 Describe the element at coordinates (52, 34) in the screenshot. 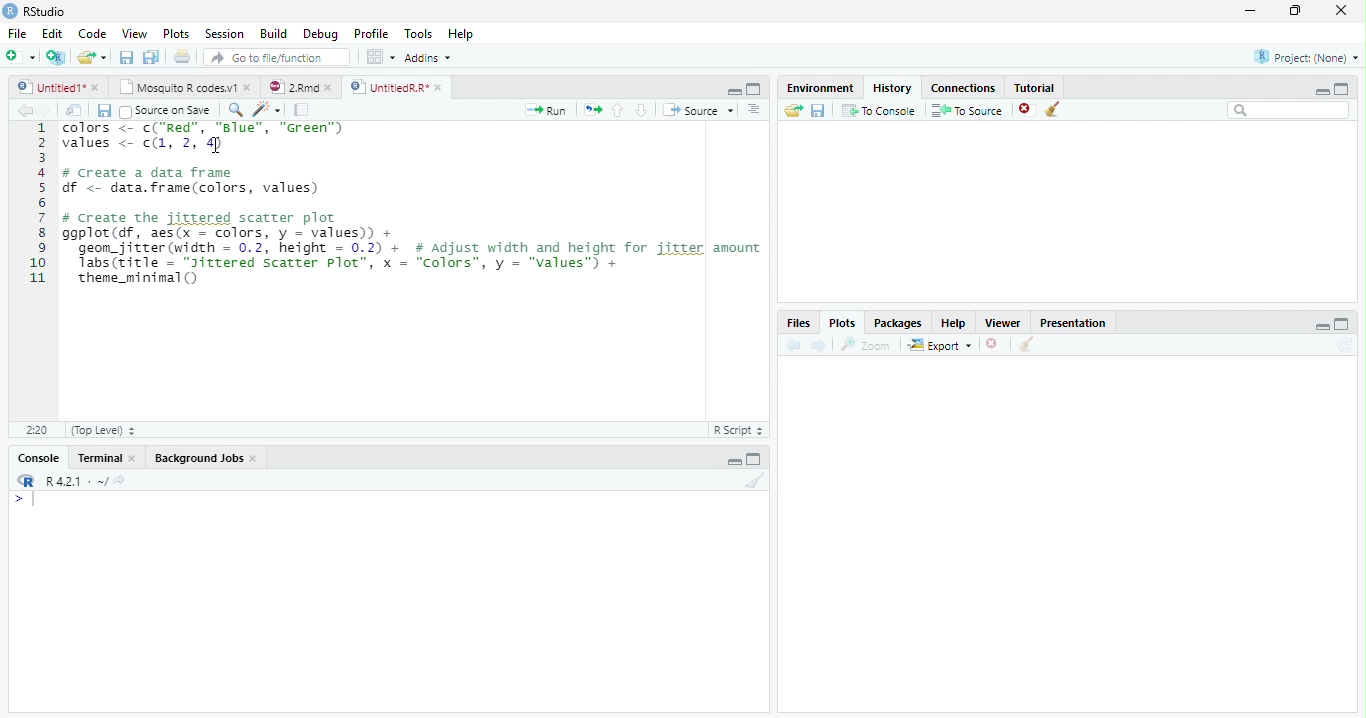

I see `Edit` at that location.